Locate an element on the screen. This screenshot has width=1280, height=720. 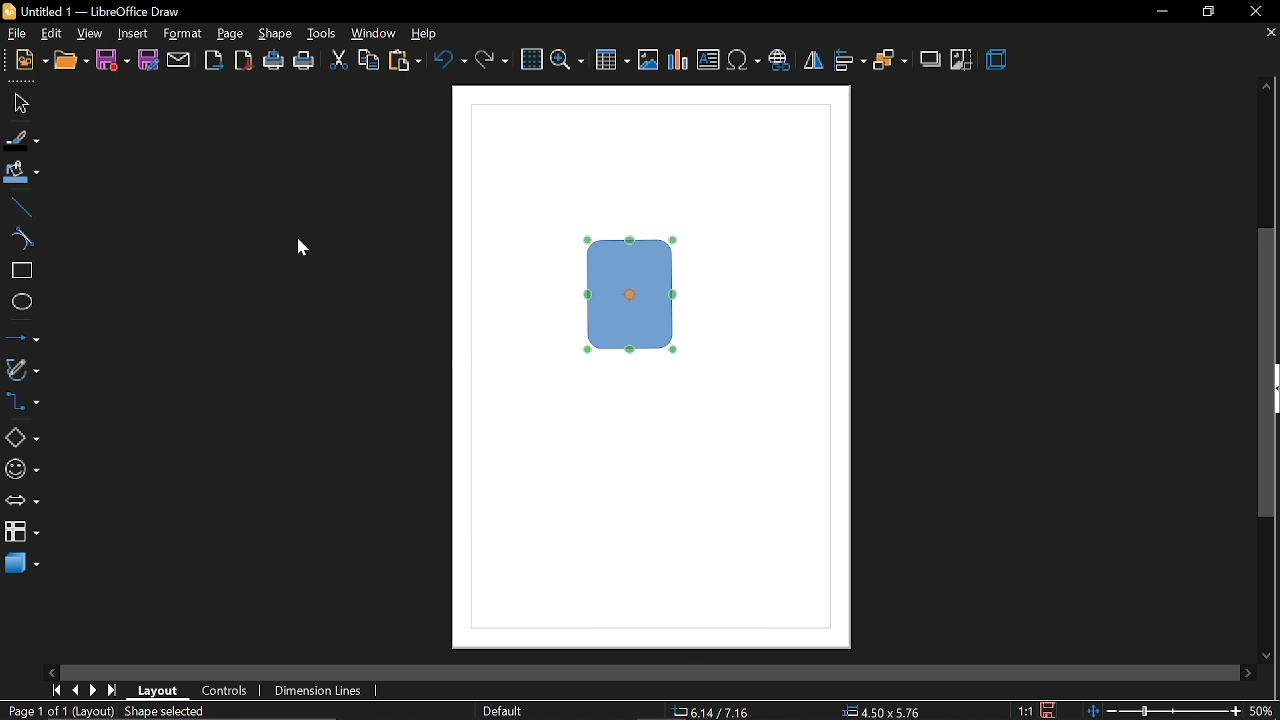
curves and polygons is located at coordinates (21, 370).